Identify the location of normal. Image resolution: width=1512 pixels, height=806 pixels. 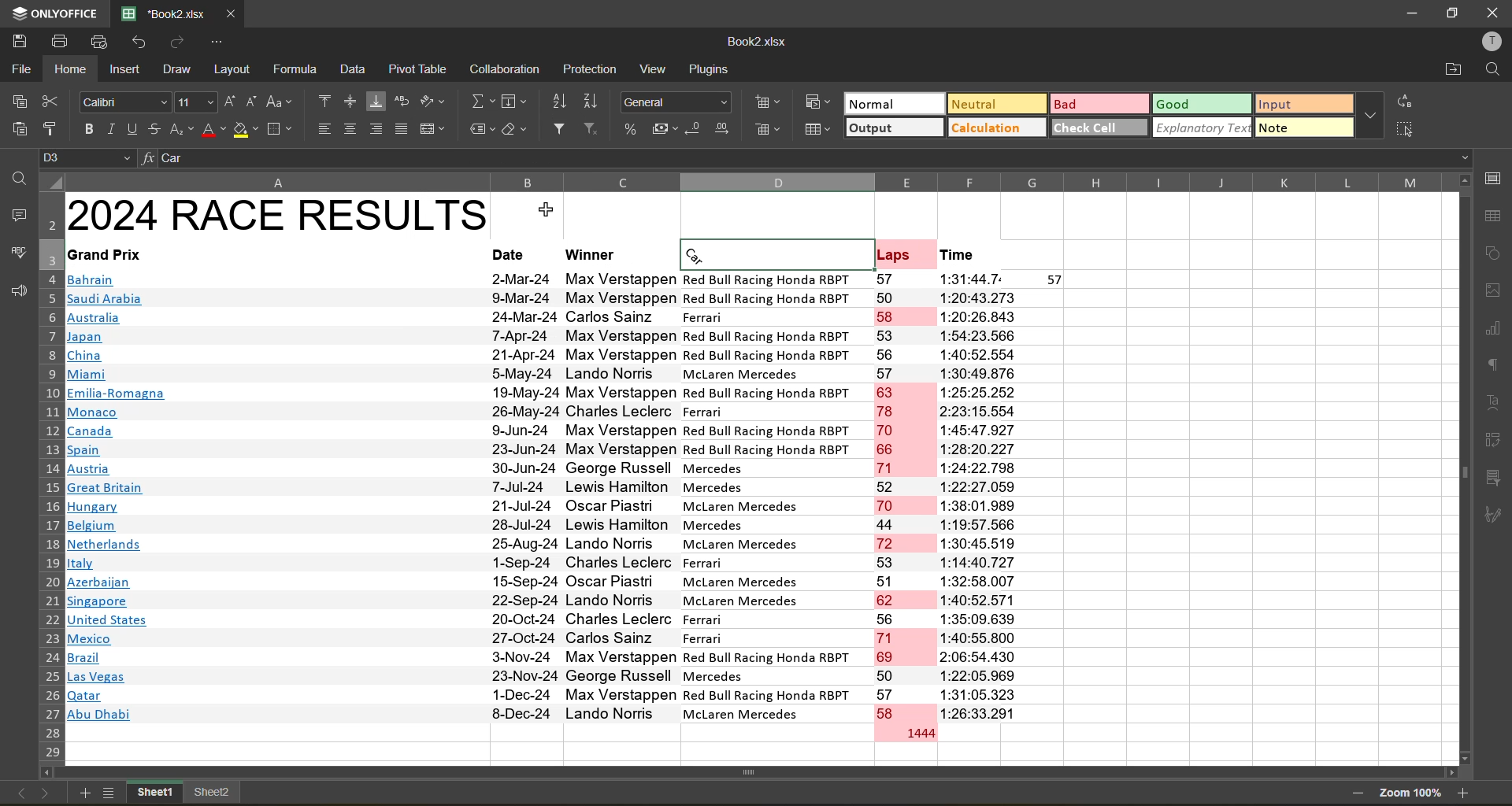
(892, 103).